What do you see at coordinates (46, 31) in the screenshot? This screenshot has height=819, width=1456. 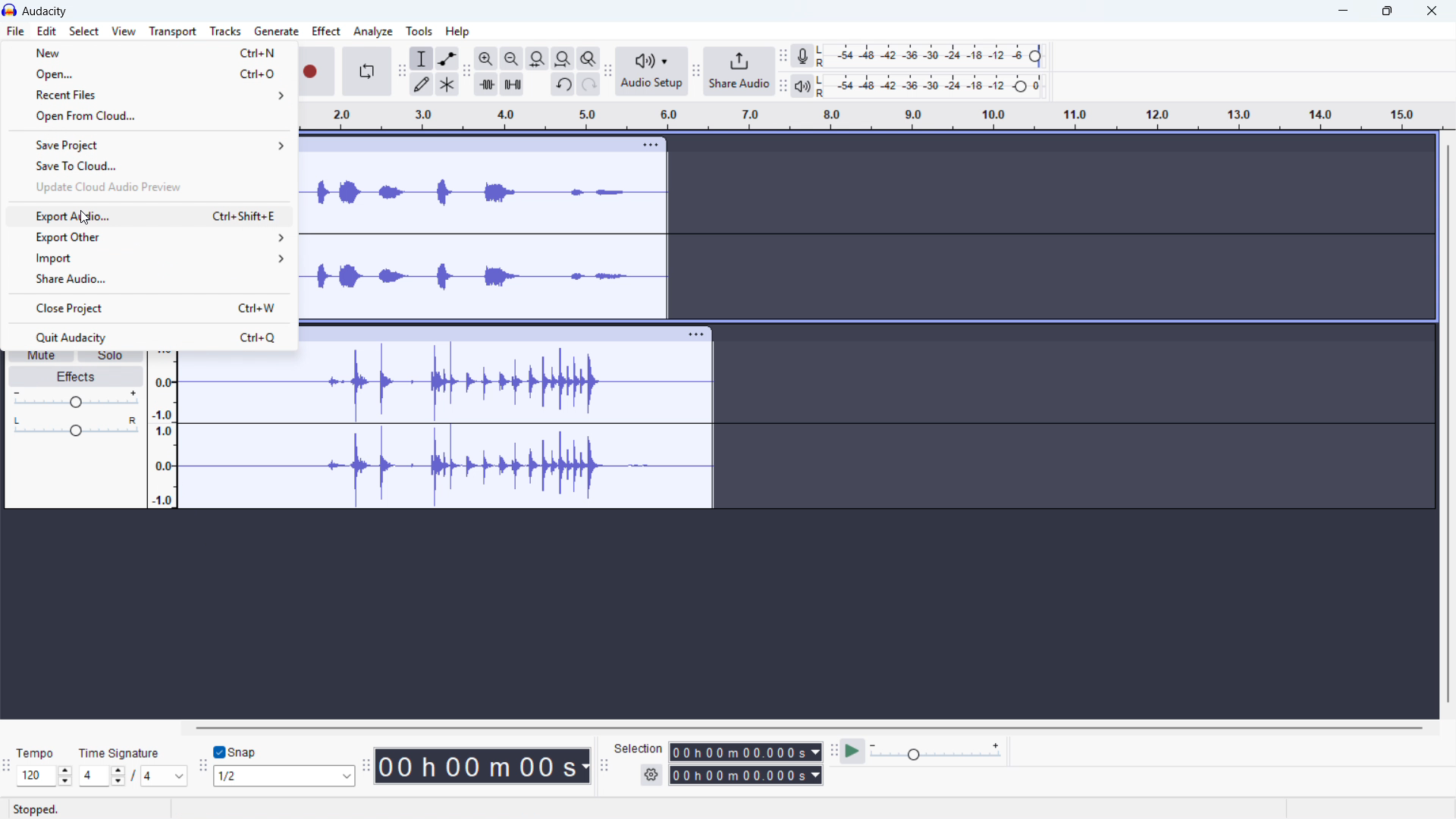 I see `edit ` at bounding box center [46, 31].